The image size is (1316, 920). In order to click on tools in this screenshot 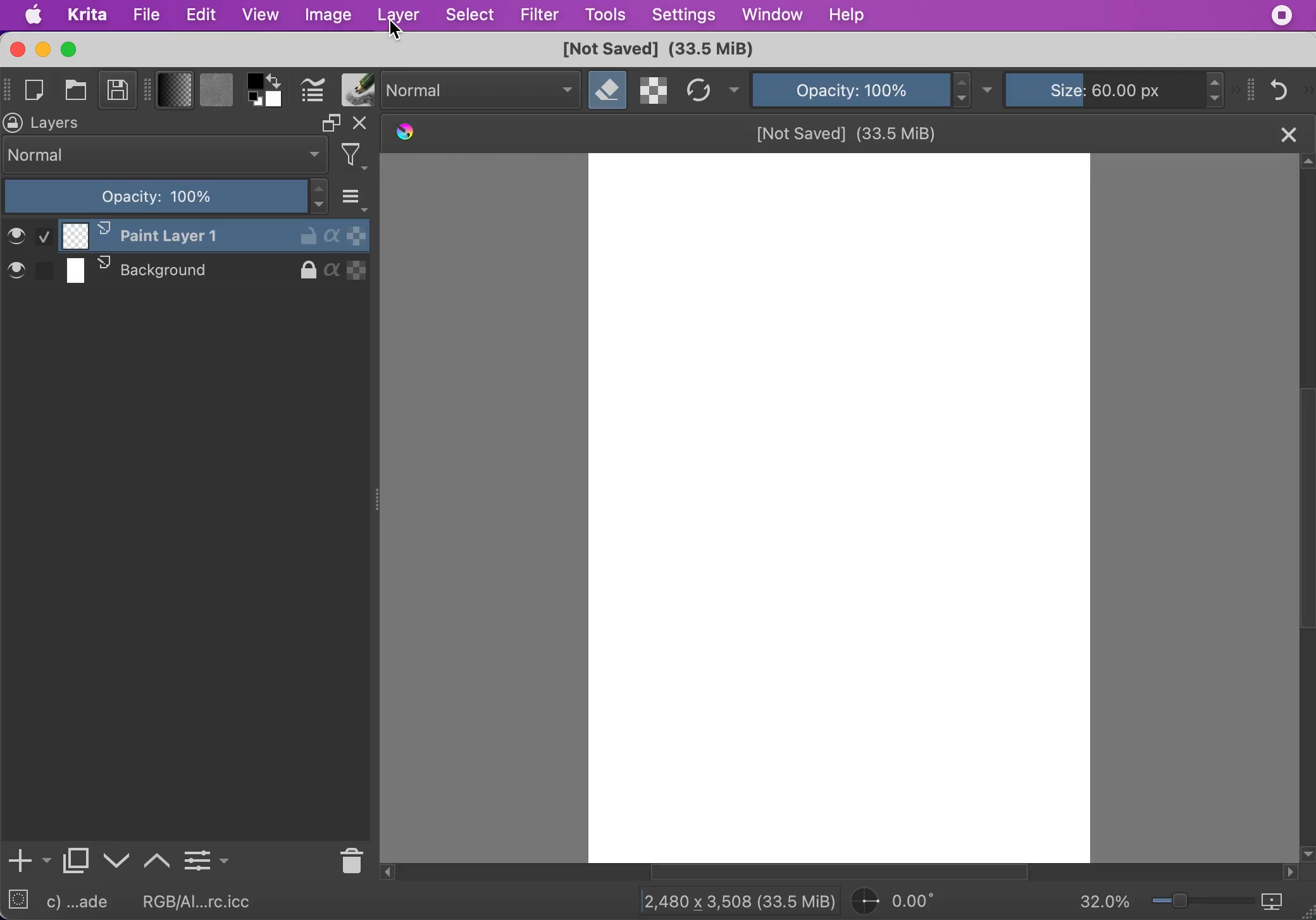, I will do `click(605, 16)`.